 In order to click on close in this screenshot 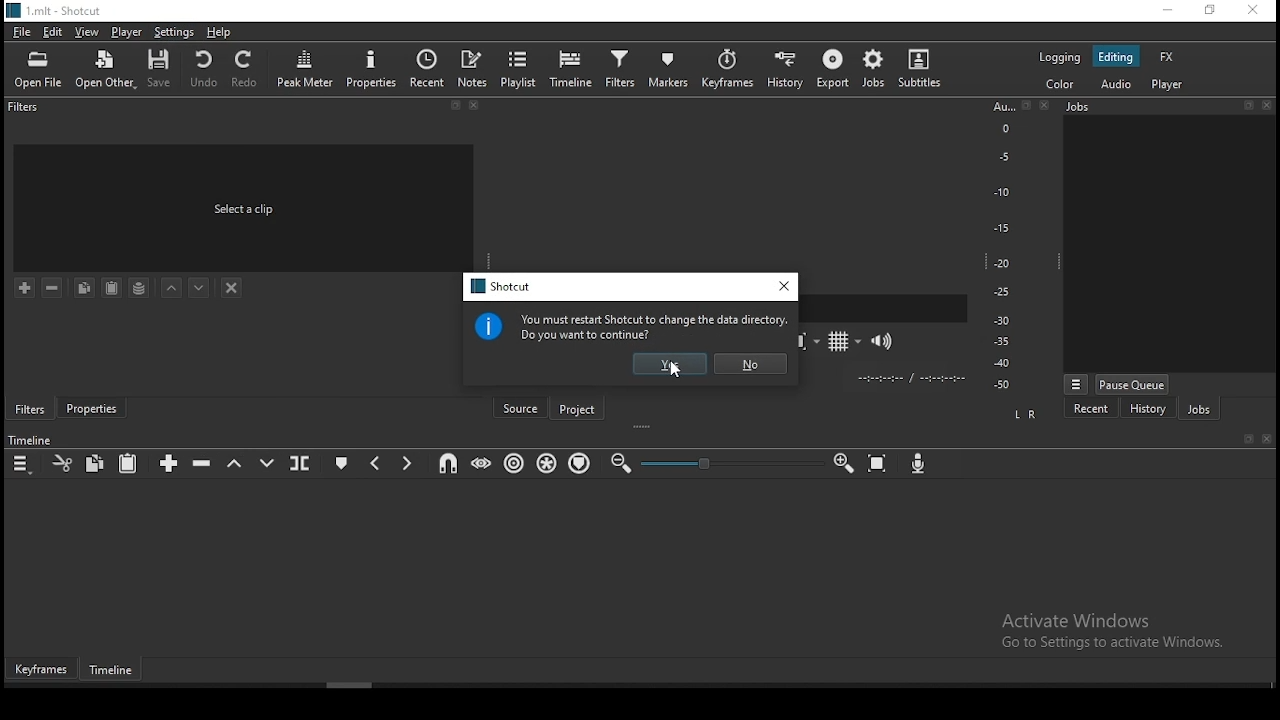, I will do `click(478, 108)`.